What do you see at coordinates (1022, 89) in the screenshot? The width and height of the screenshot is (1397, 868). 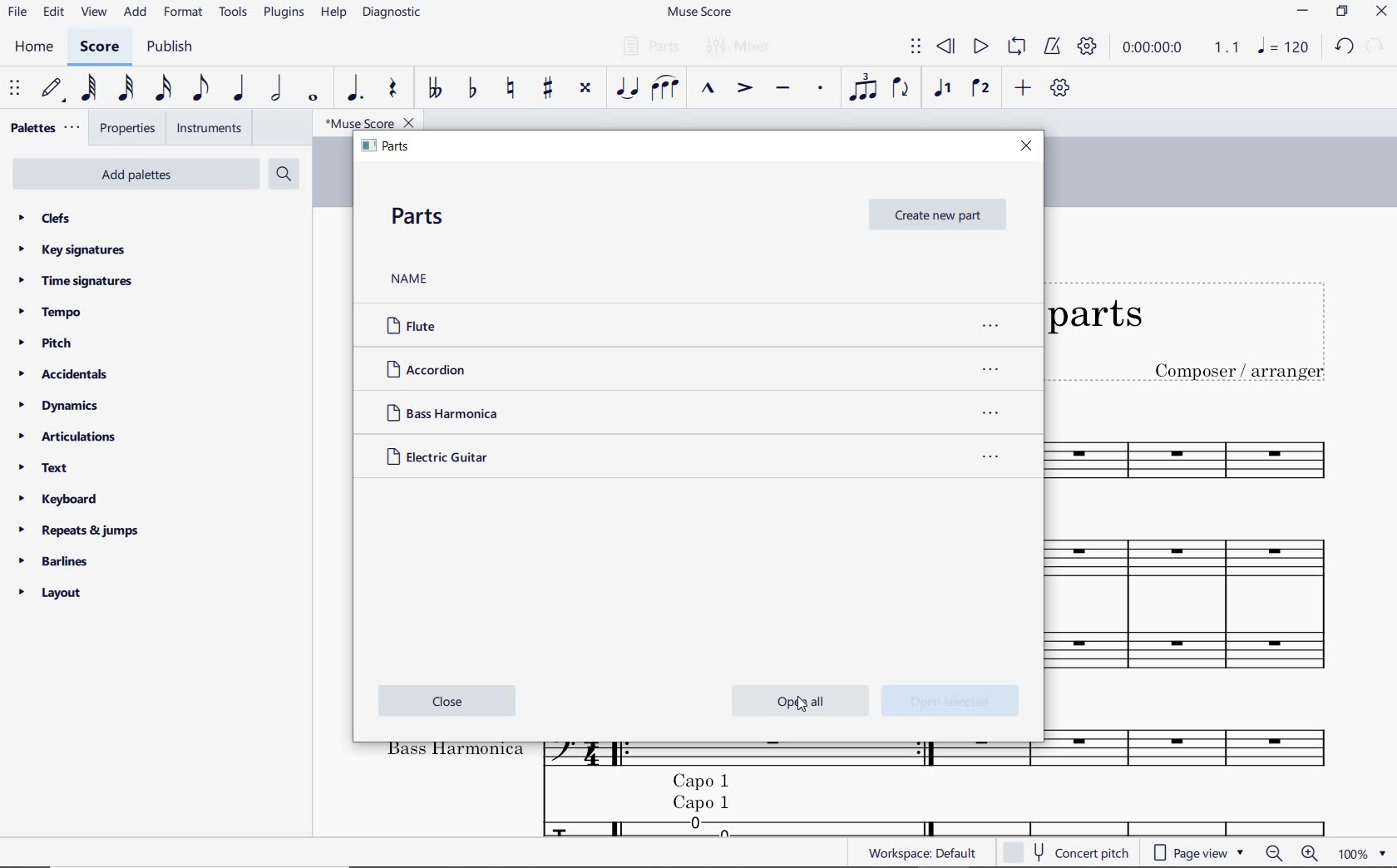 I see `add` at bounding box center [1022, 89].